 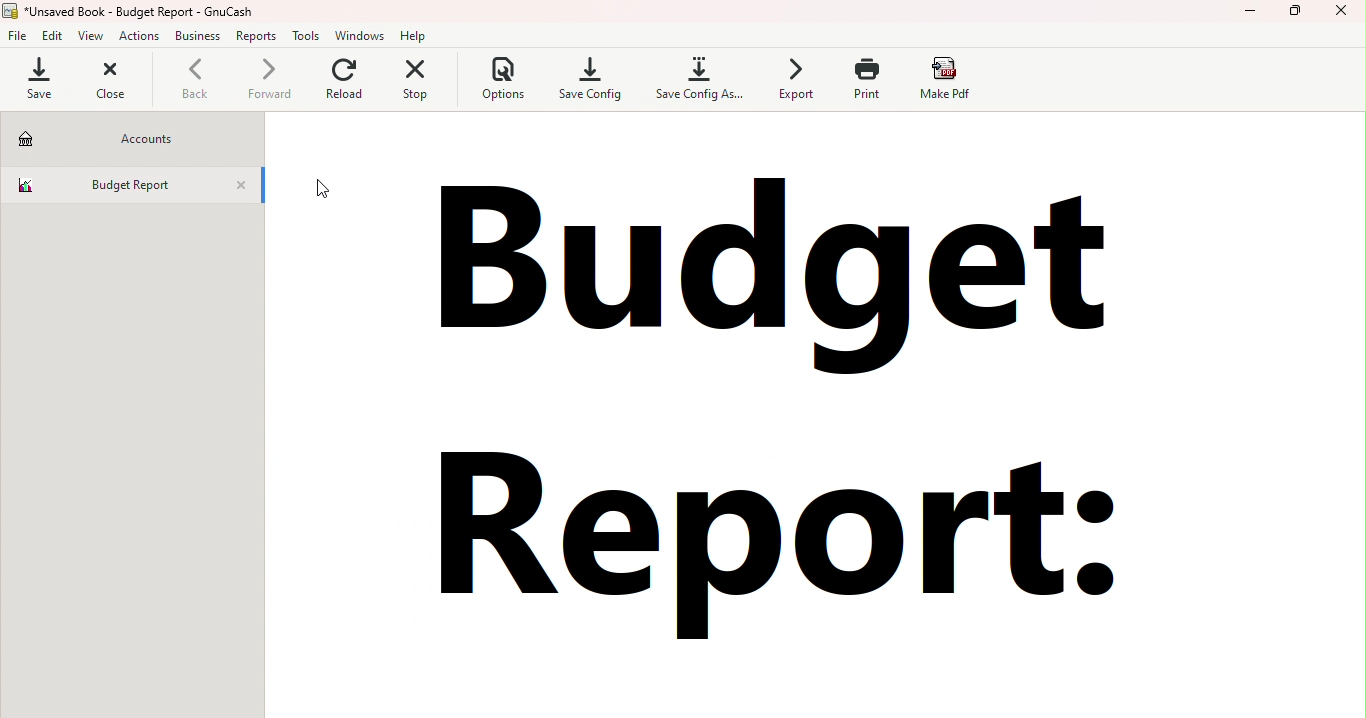 What do you see at coordinates (592, 77) in the screenshot?
I see `Save config` at bounding box center [592, 77].